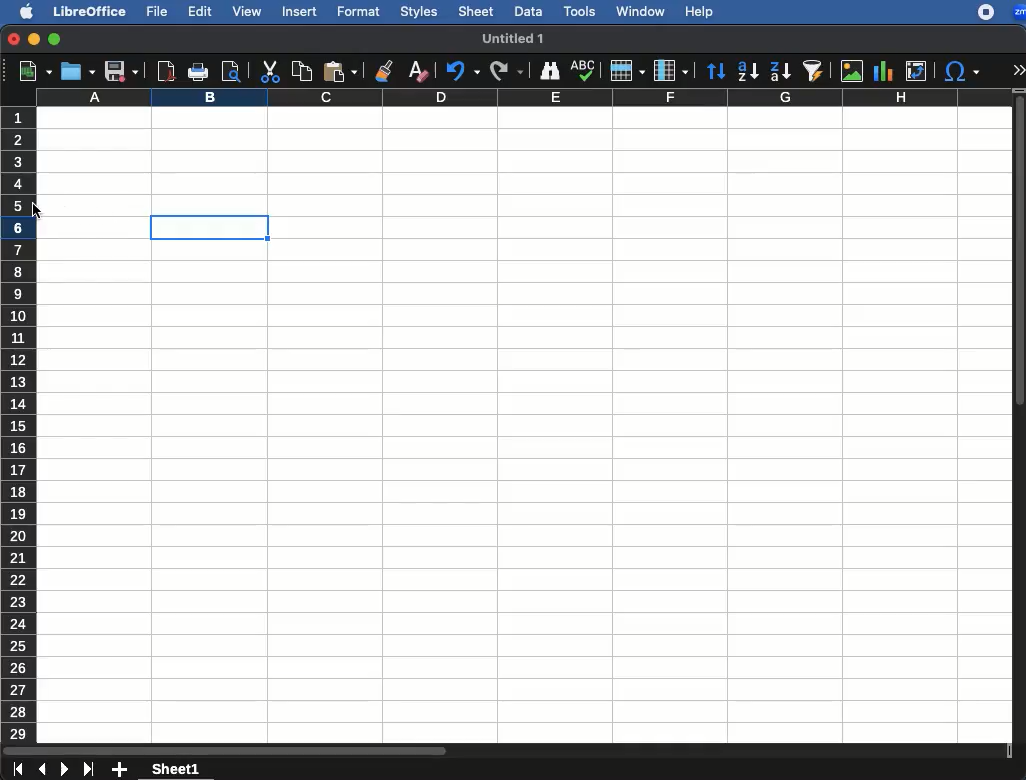  What do you see at coordinates (698, 12) in the screenshot?
I see `help` at bounding box center [698, 12].